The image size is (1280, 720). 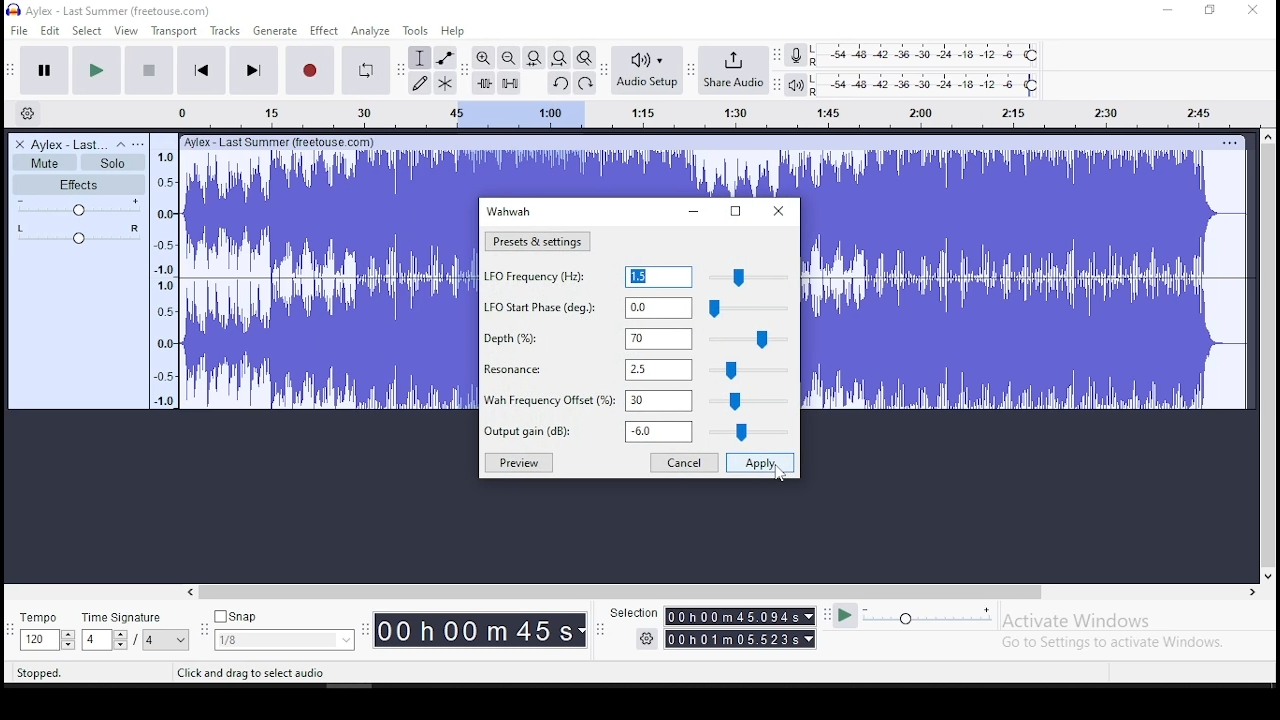 What do you see at coordinates (416, 31) in the screenshot?
I see `tools` at bounding box center [416, 31].